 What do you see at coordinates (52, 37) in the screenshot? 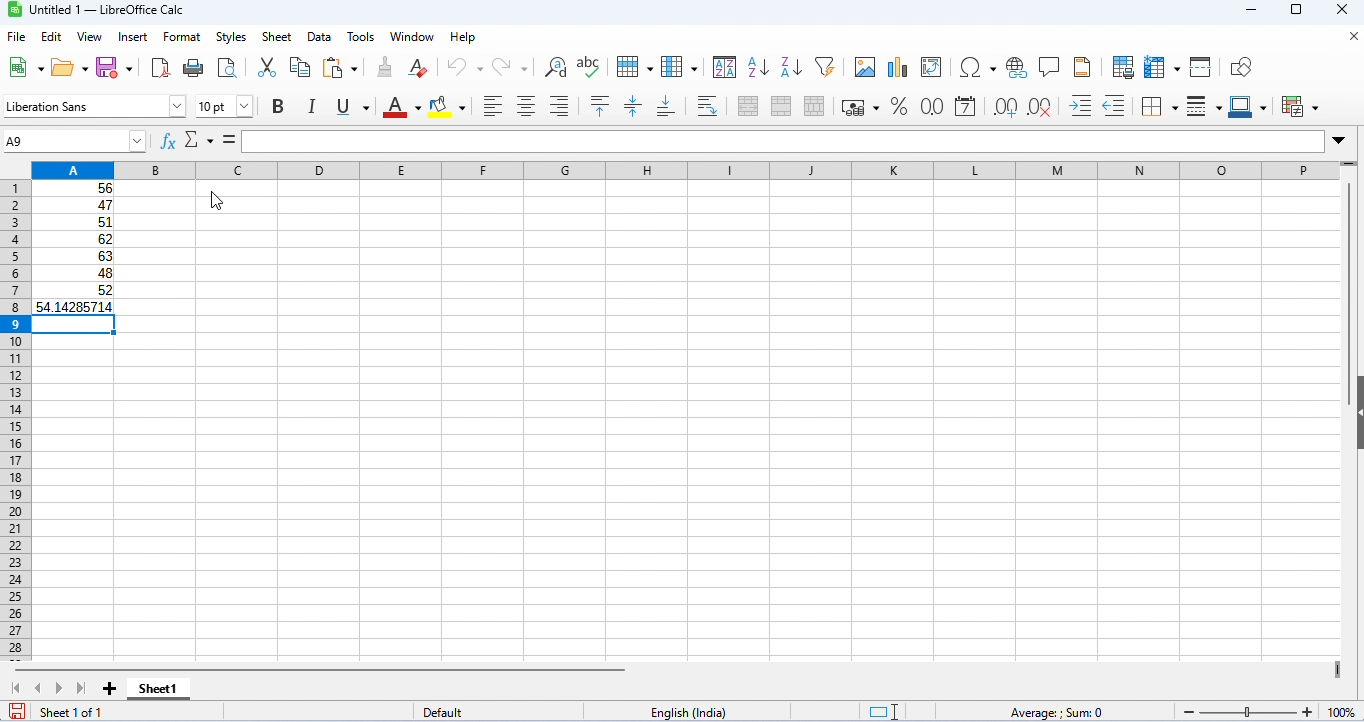
I see `edit` at bounding box center [52, 37].